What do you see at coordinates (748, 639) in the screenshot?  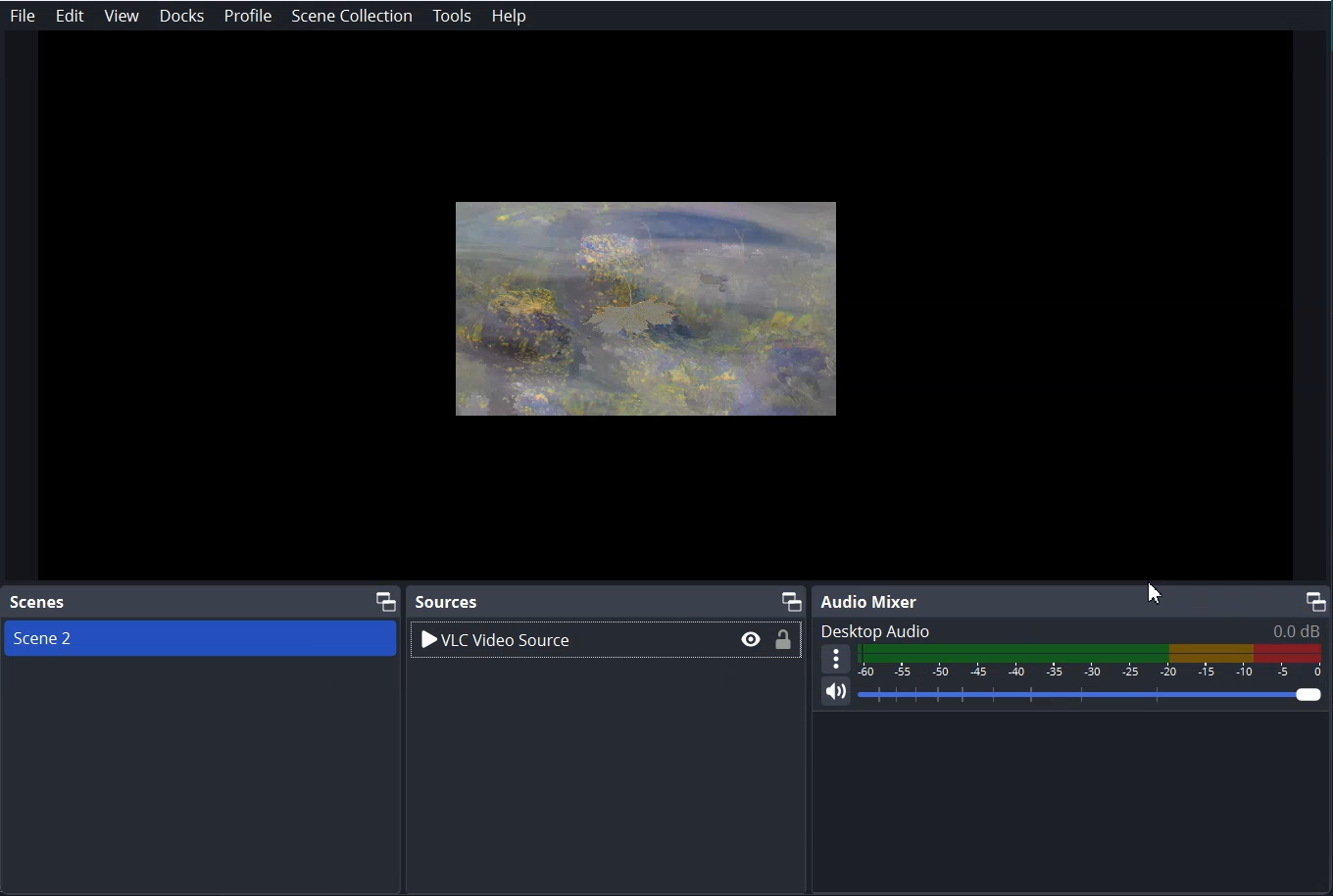 I see `Eye` at bounding box center [748, 639].